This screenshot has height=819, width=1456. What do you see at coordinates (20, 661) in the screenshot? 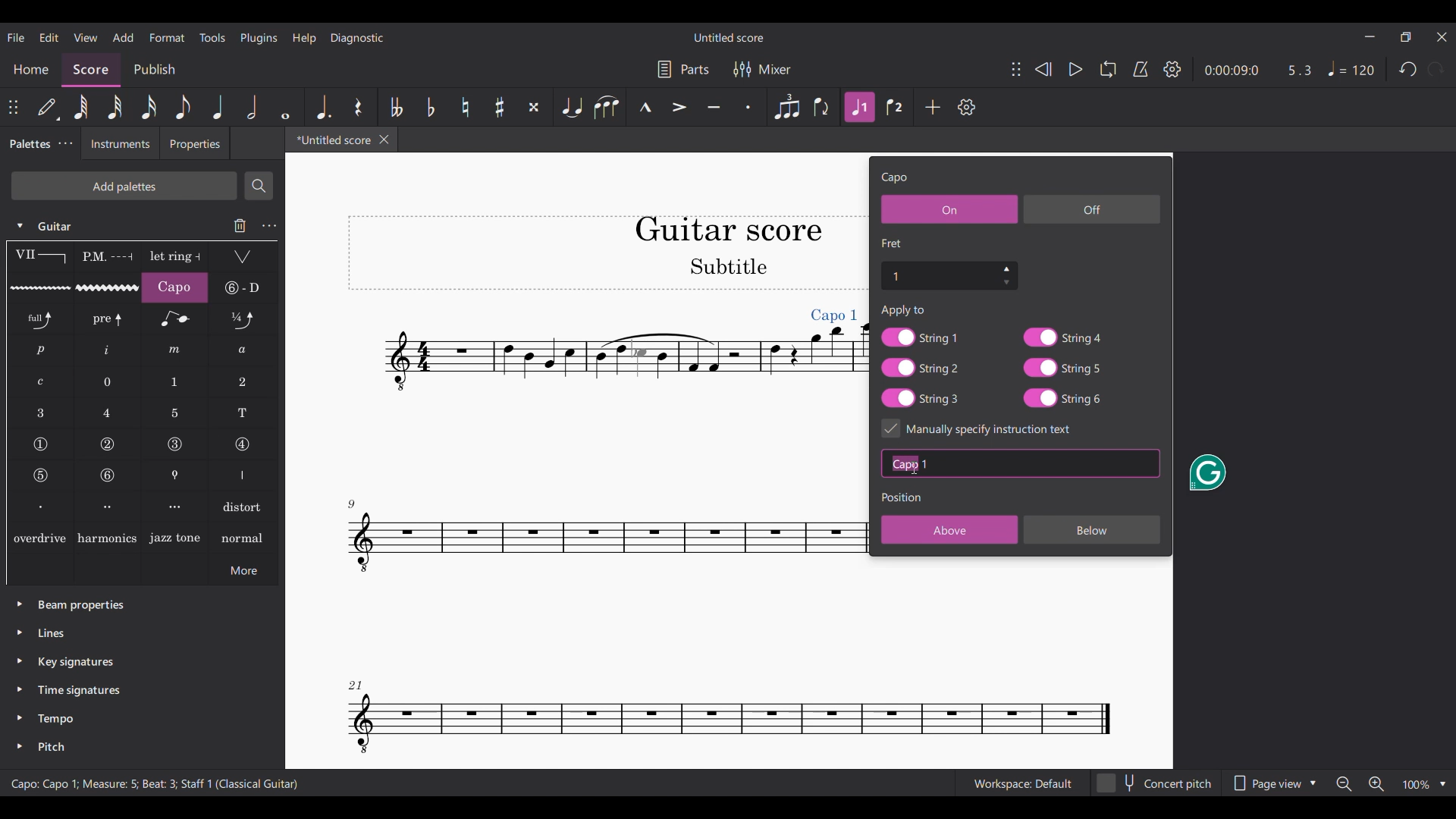
I see `Click to expand key signatures palette` at bounding box center [20, 661].